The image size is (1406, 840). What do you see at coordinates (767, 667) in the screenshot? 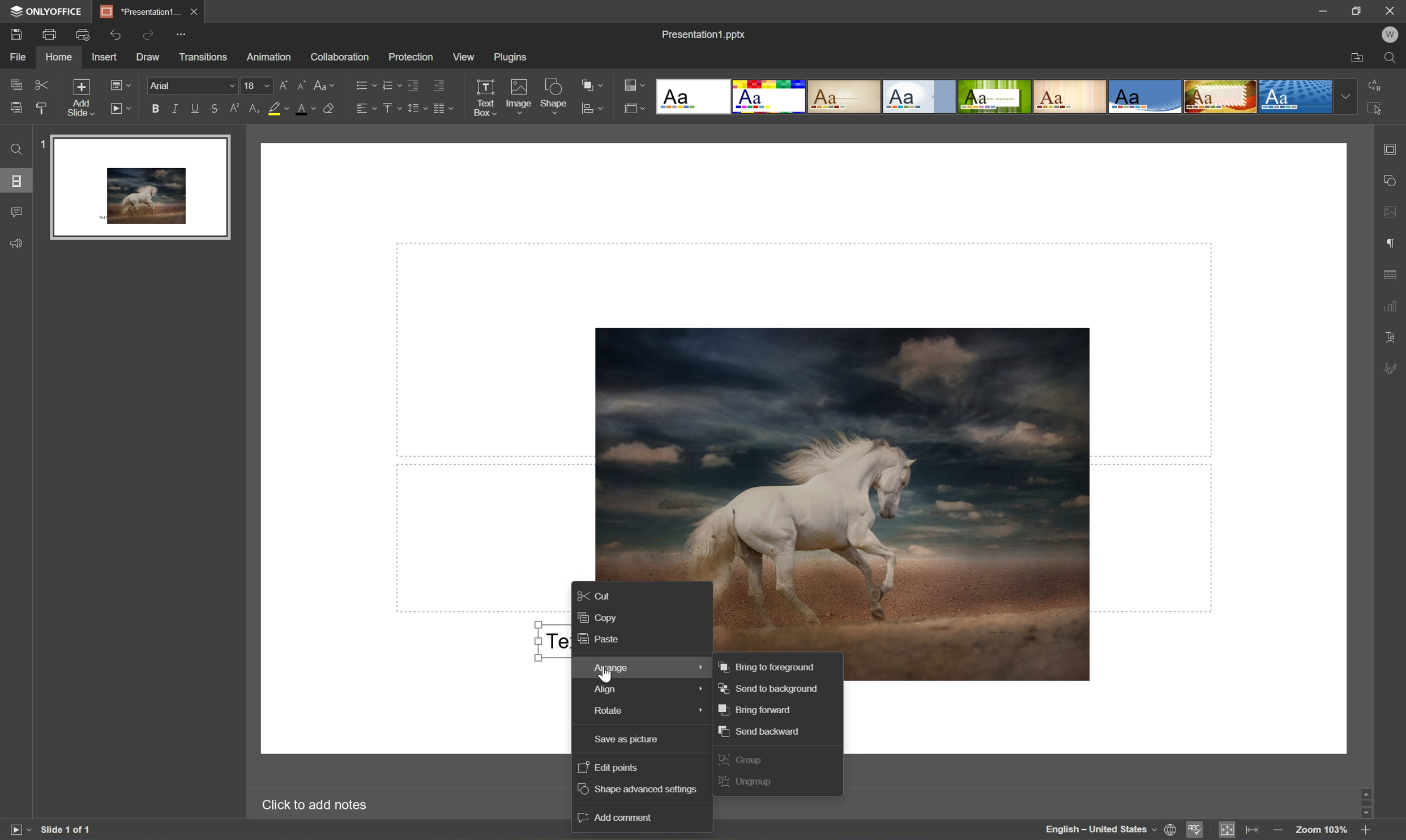
I see `Bring to forward` at bounding box center [767, 667].